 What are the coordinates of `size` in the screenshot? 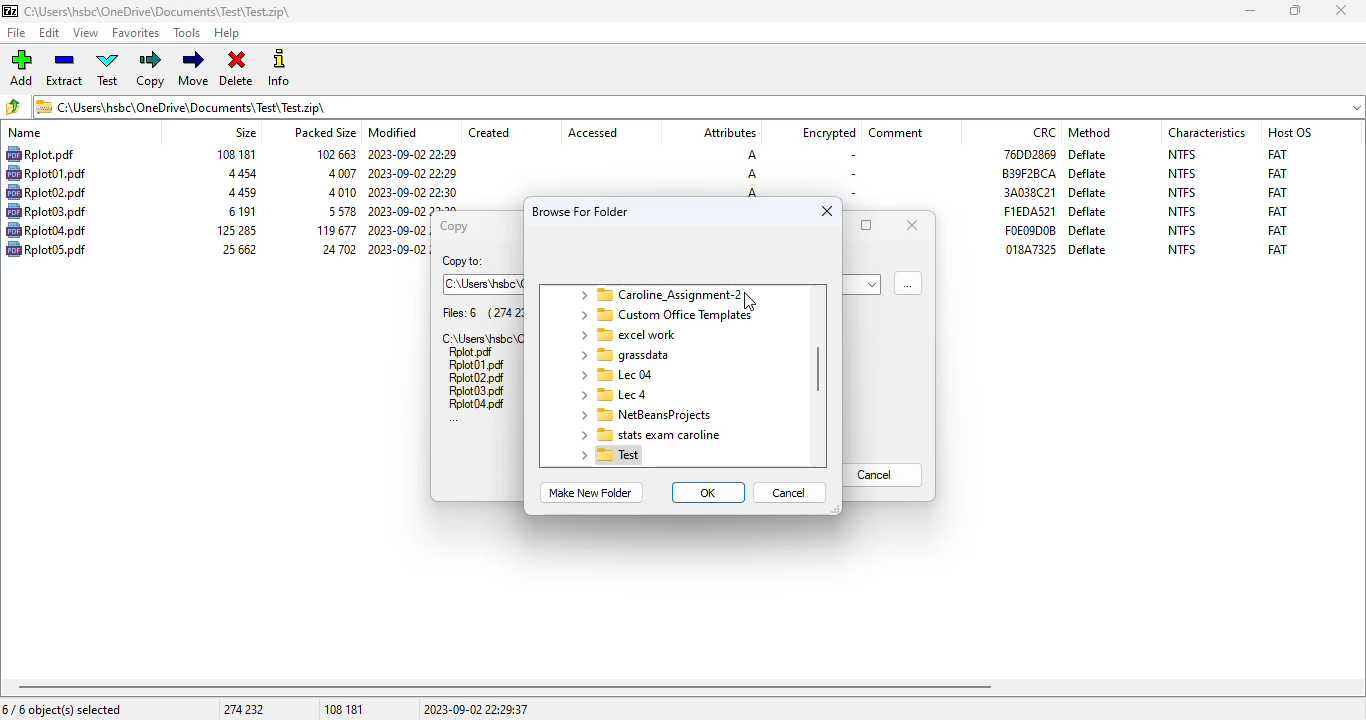 It's located at (240, 193).